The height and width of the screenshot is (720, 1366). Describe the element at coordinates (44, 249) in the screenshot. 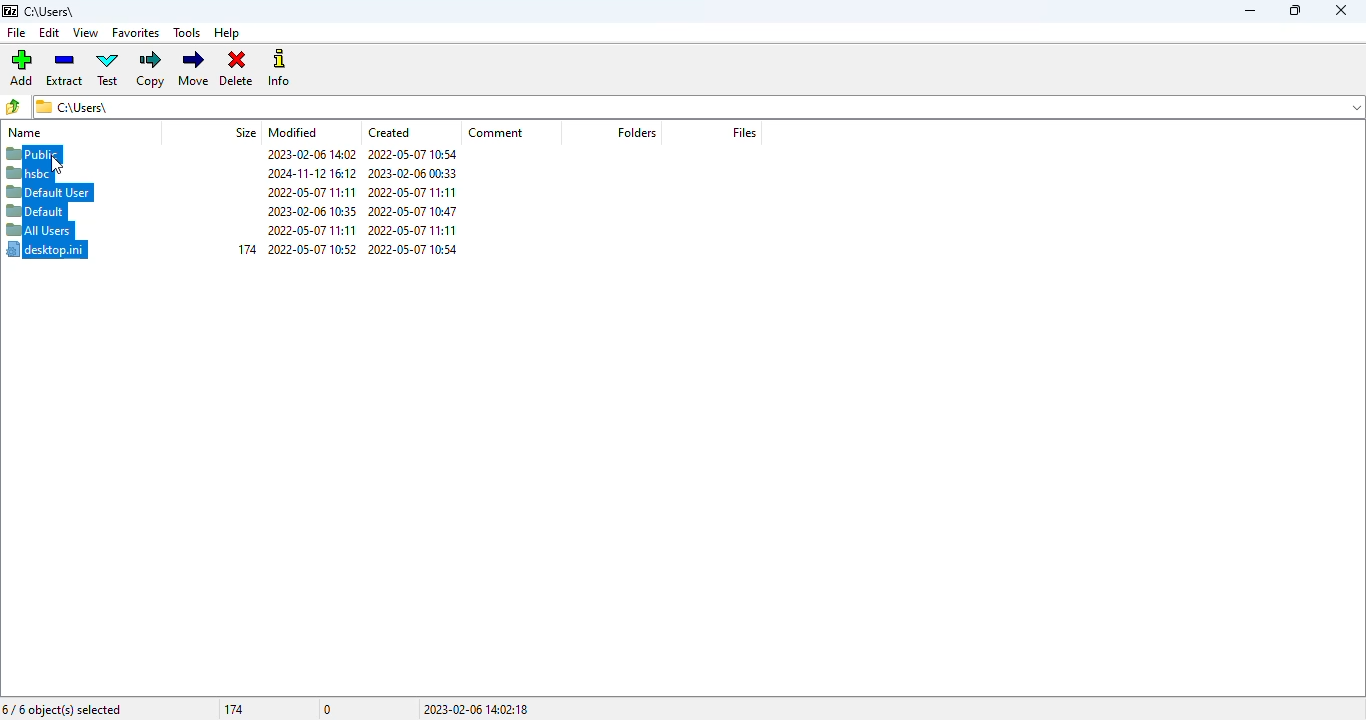

I see `desktop.ini selected` at that location.